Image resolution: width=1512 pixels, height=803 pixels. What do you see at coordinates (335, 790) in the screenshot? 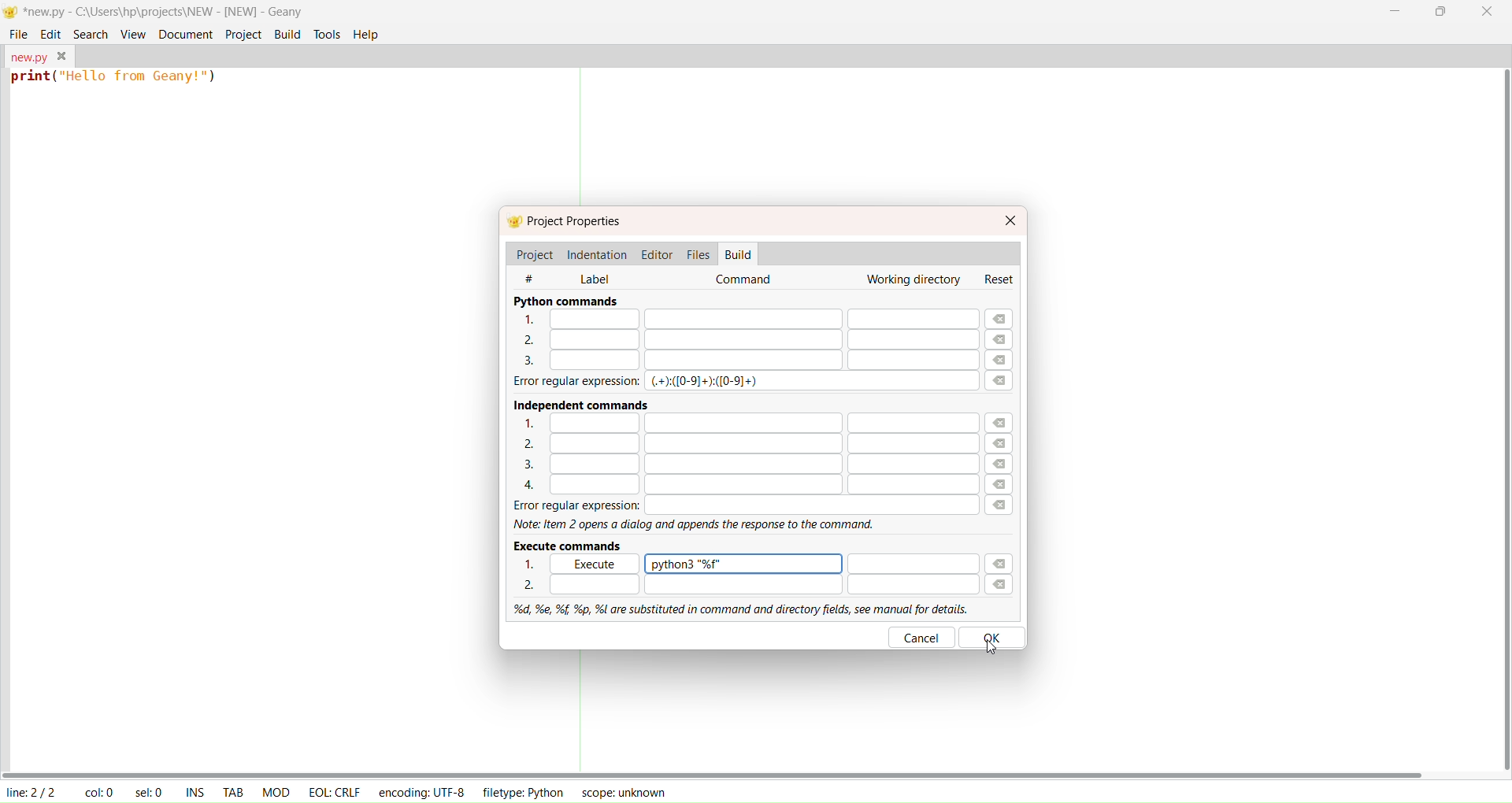
I see `EOL CRLF` at bounding box center [335, 790].